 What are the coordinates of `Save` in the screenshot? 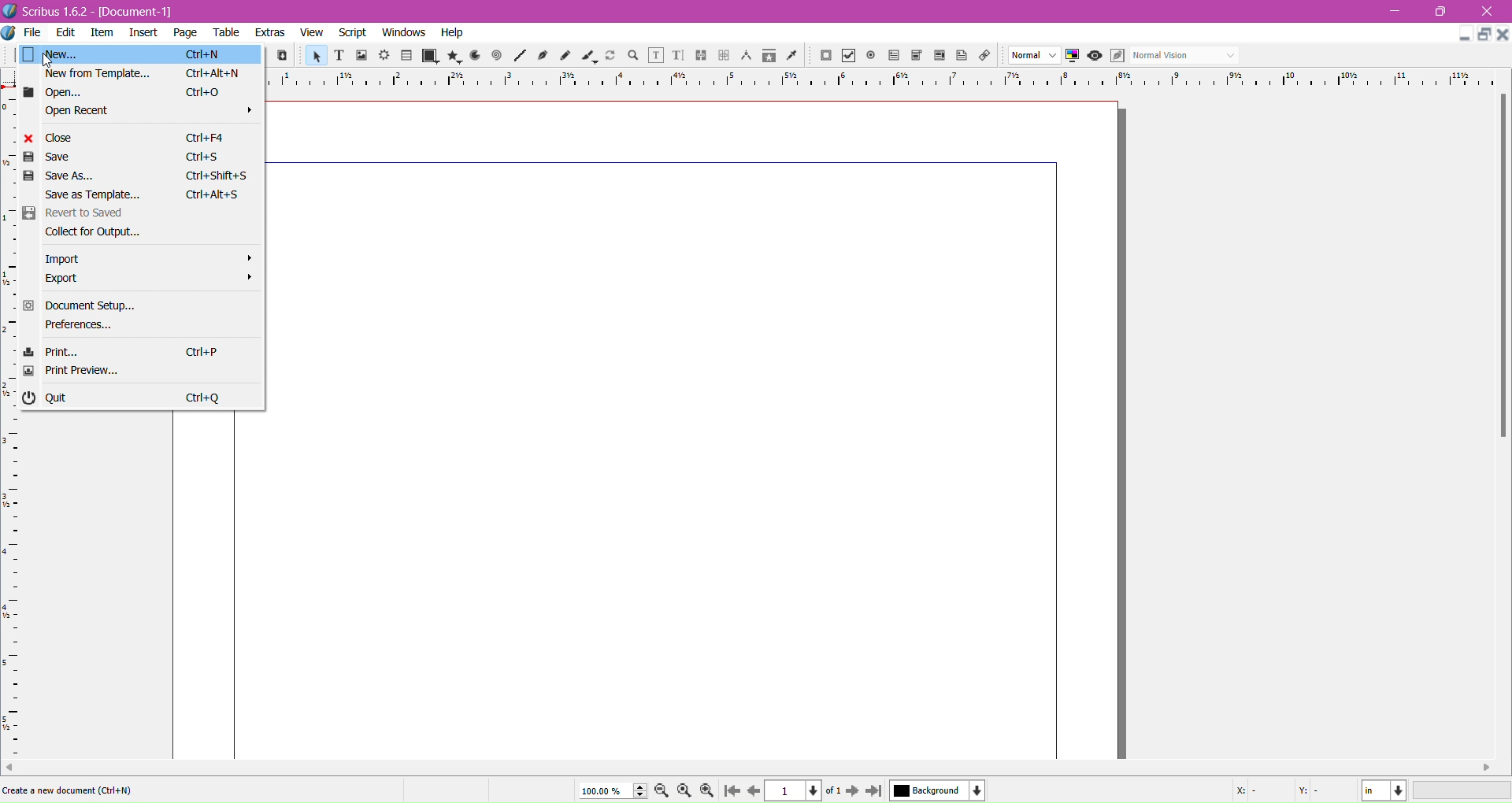 It's located at (123, 157).